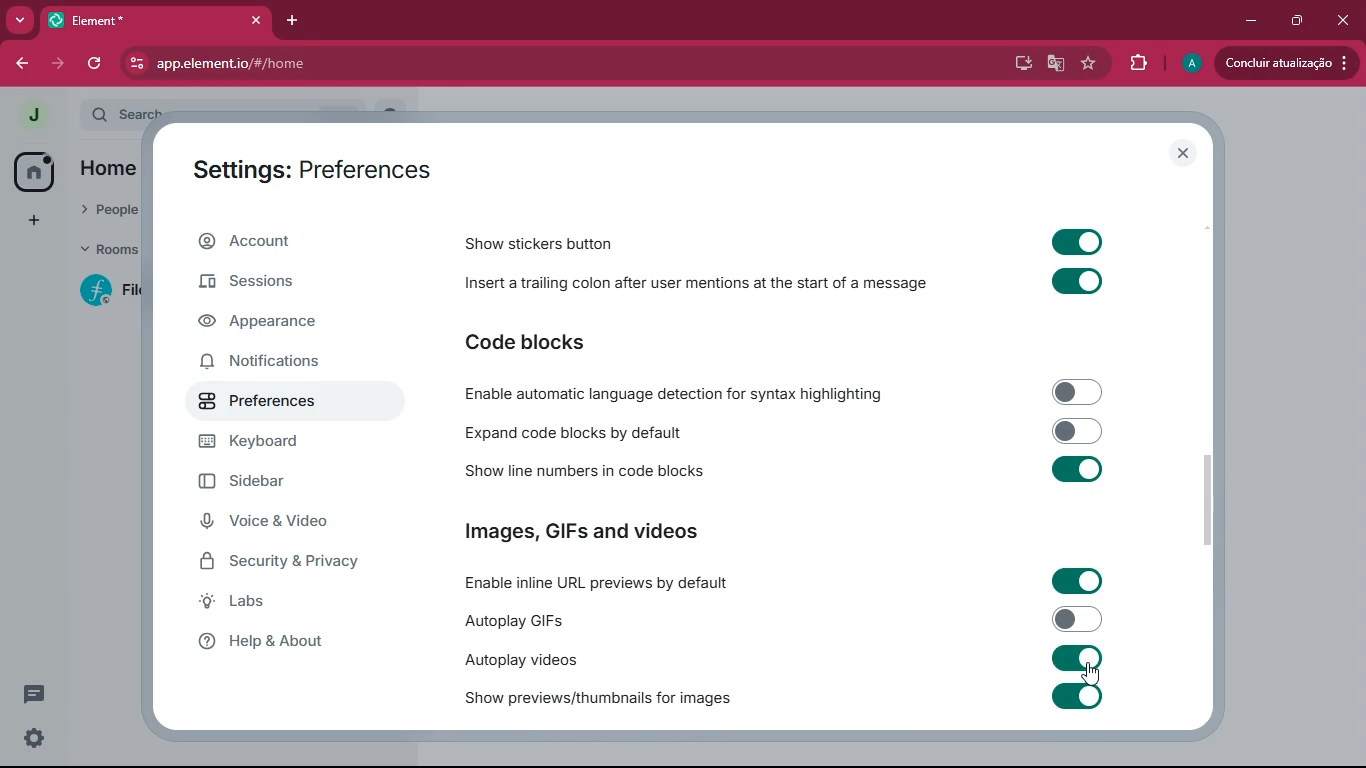  What do you see at coordinates (694, 287) in the screenshot?
I see `colon` at bounding box center [694, 287].